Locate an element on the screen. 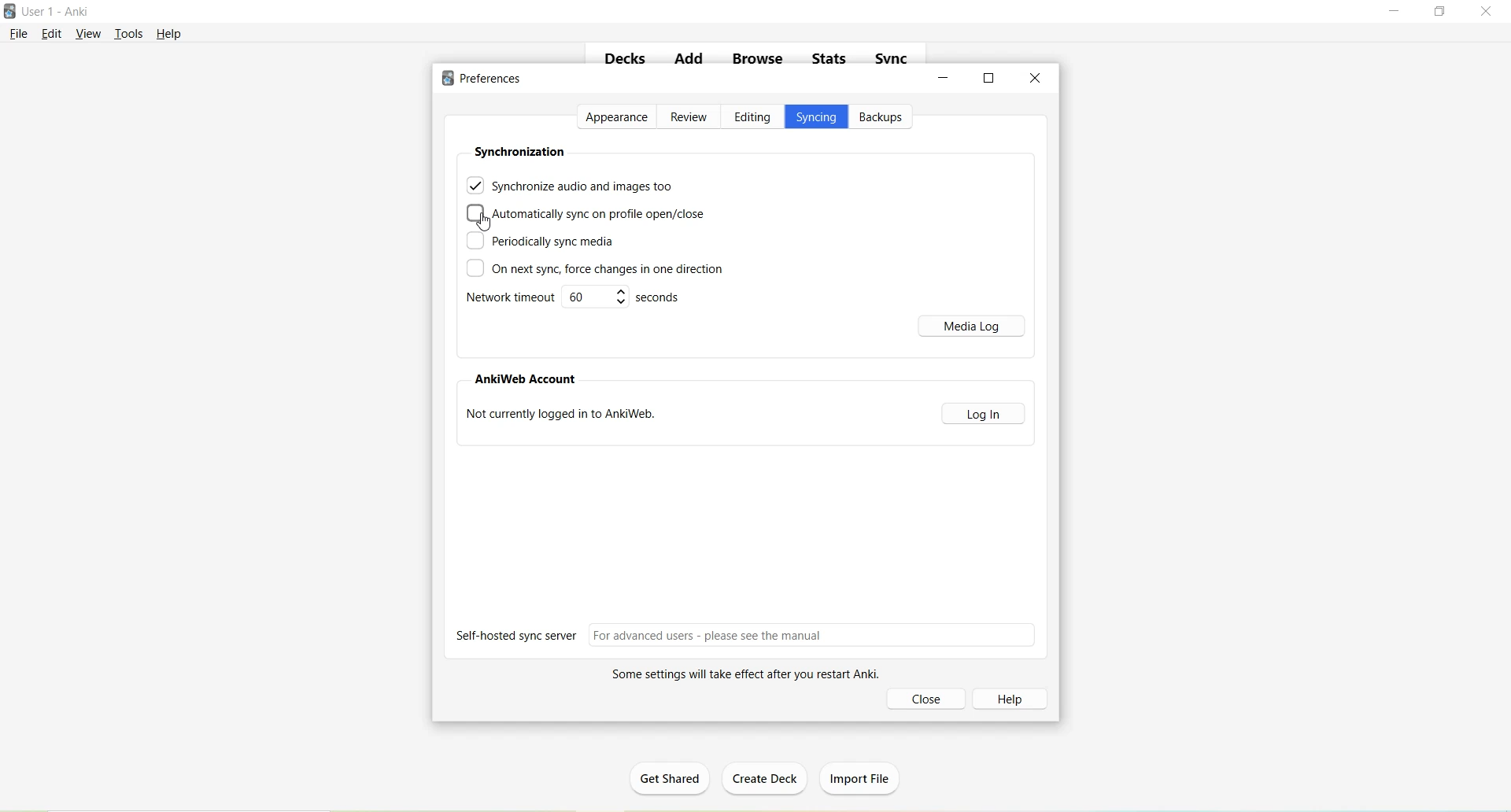 Image resolution: width=1511 pixels, height=812 pixels. Add is located at coordinates (688, 61).